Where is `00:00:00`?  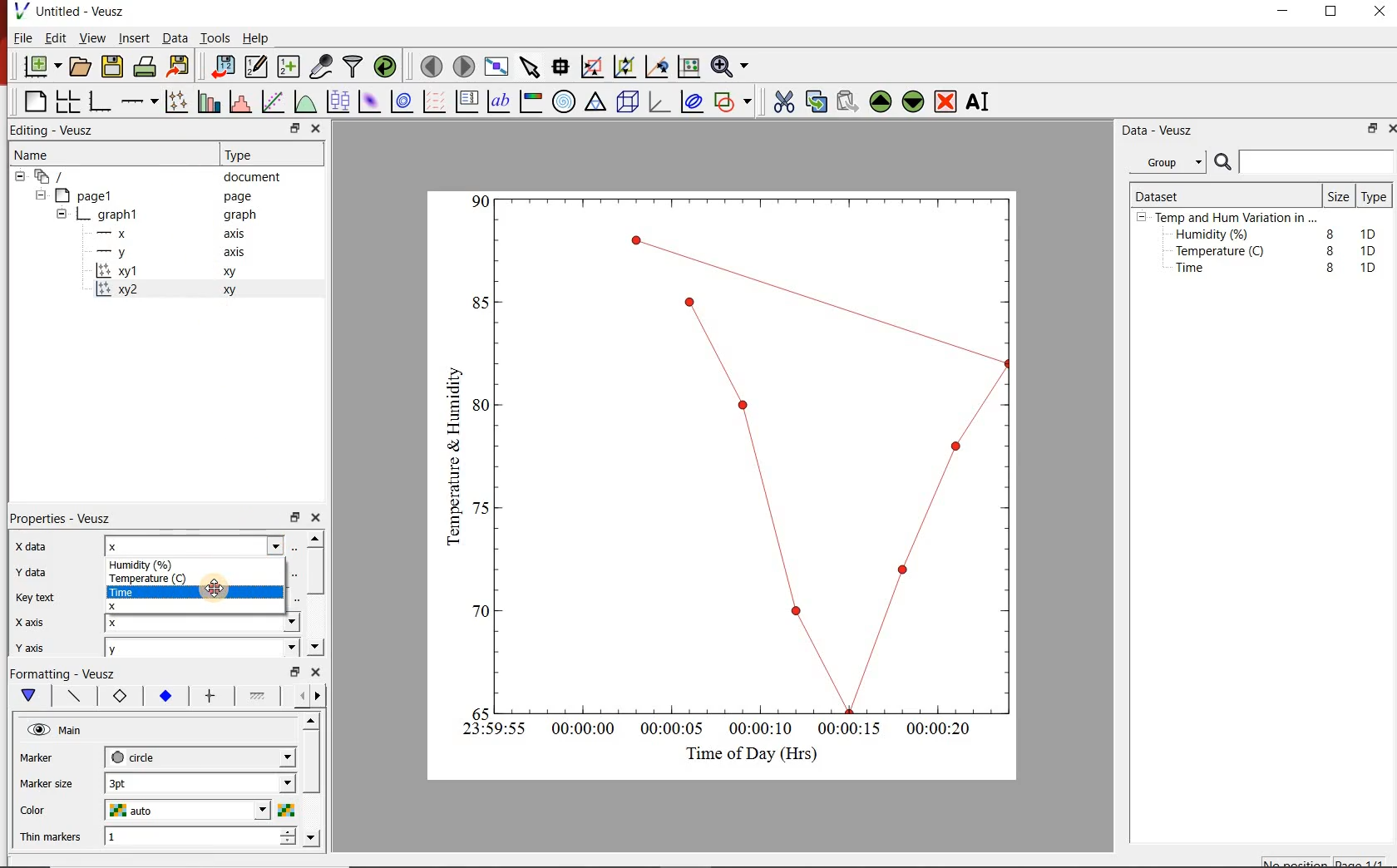 00:00:00 is located at coordinates (580, 731).